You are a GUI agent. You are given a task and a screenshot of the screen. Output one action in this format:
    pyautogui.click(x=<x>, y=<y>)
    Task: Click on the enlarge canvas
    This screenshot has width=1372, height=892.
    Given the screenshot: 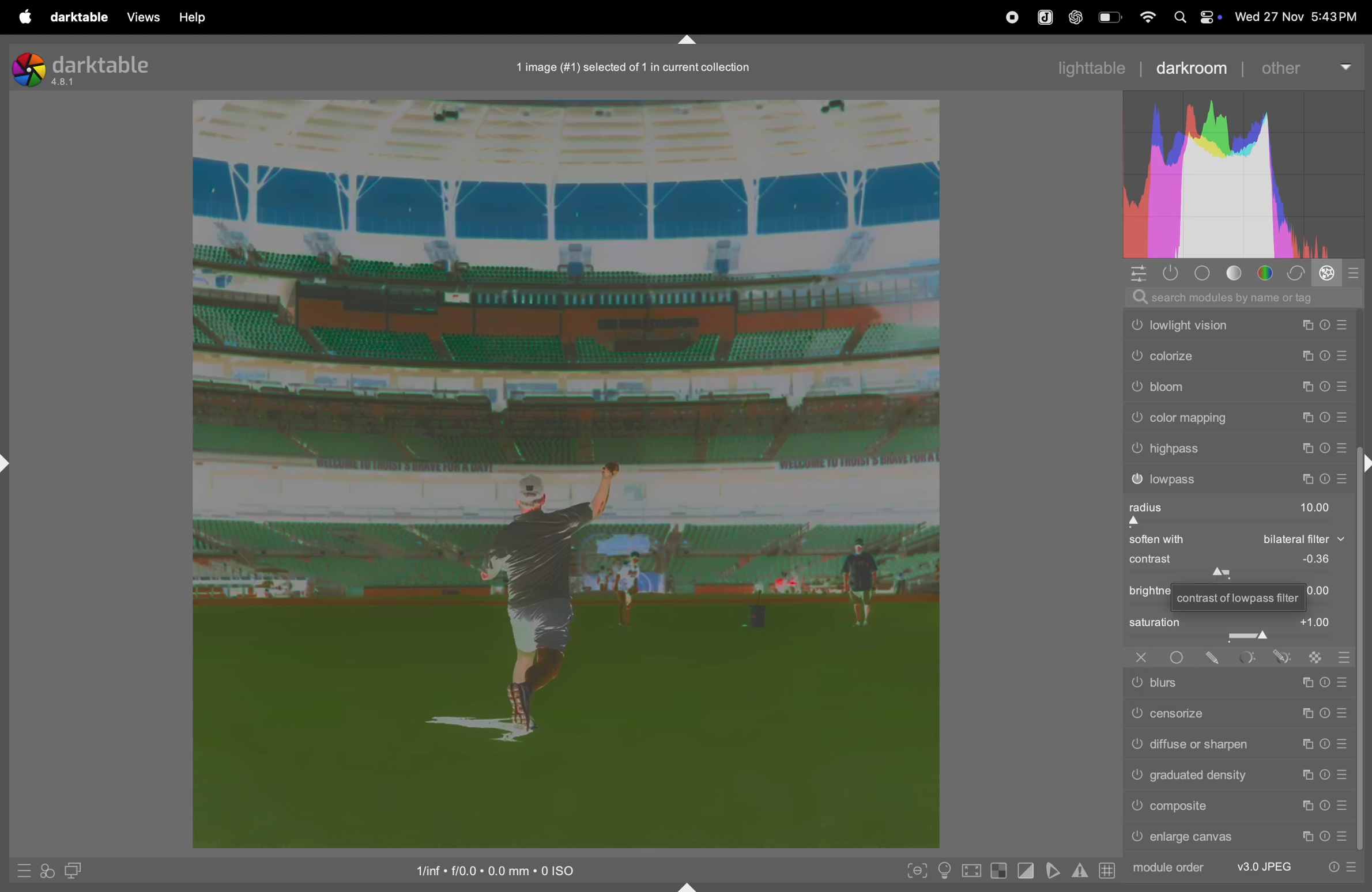 What is the action you would take?
    pyautogui.click(x=1241, y=838)
    